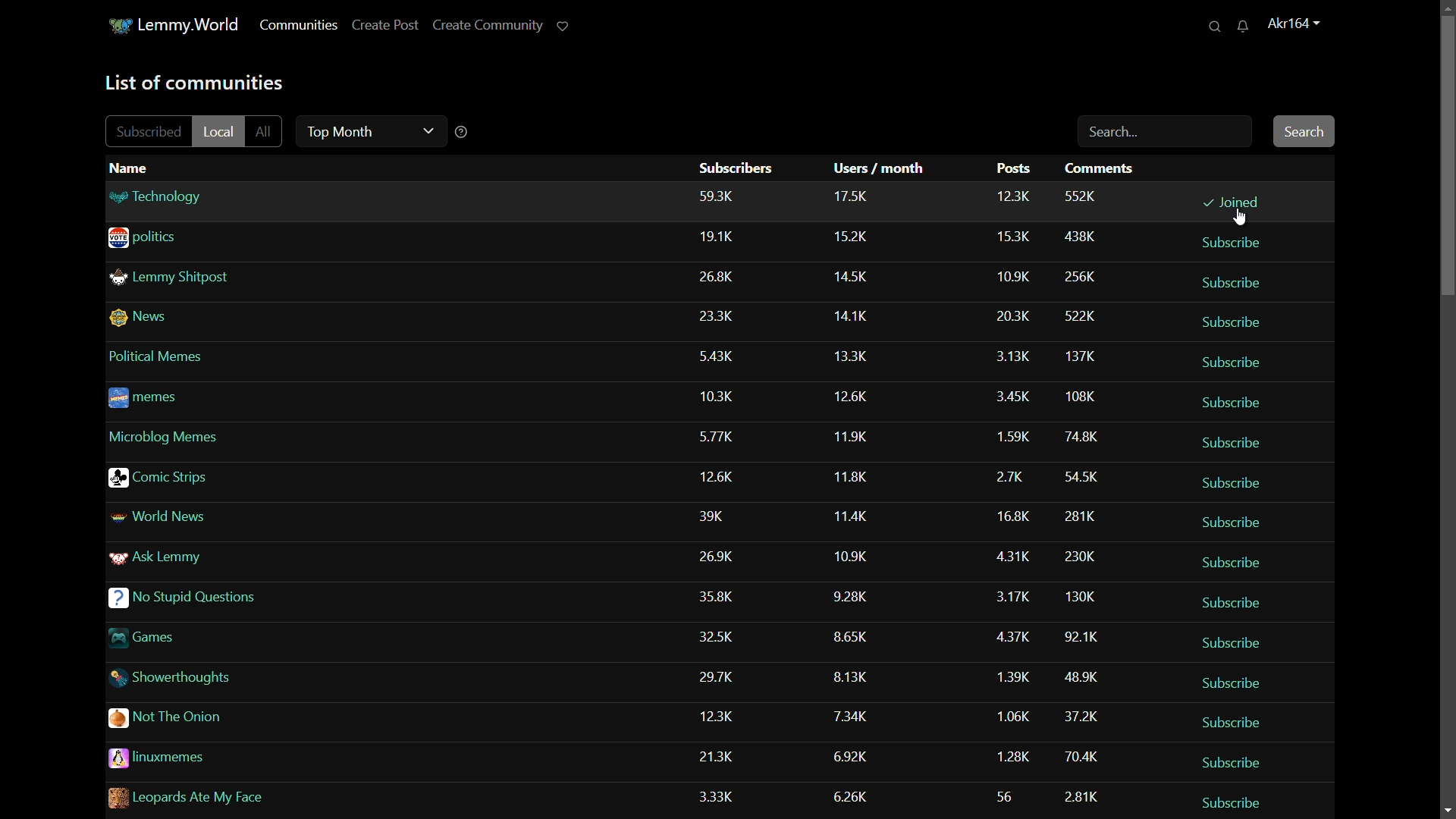 Image resolution: width=1456 pixels, height=819 pixels. I want to click on username, so click(1300, 24).